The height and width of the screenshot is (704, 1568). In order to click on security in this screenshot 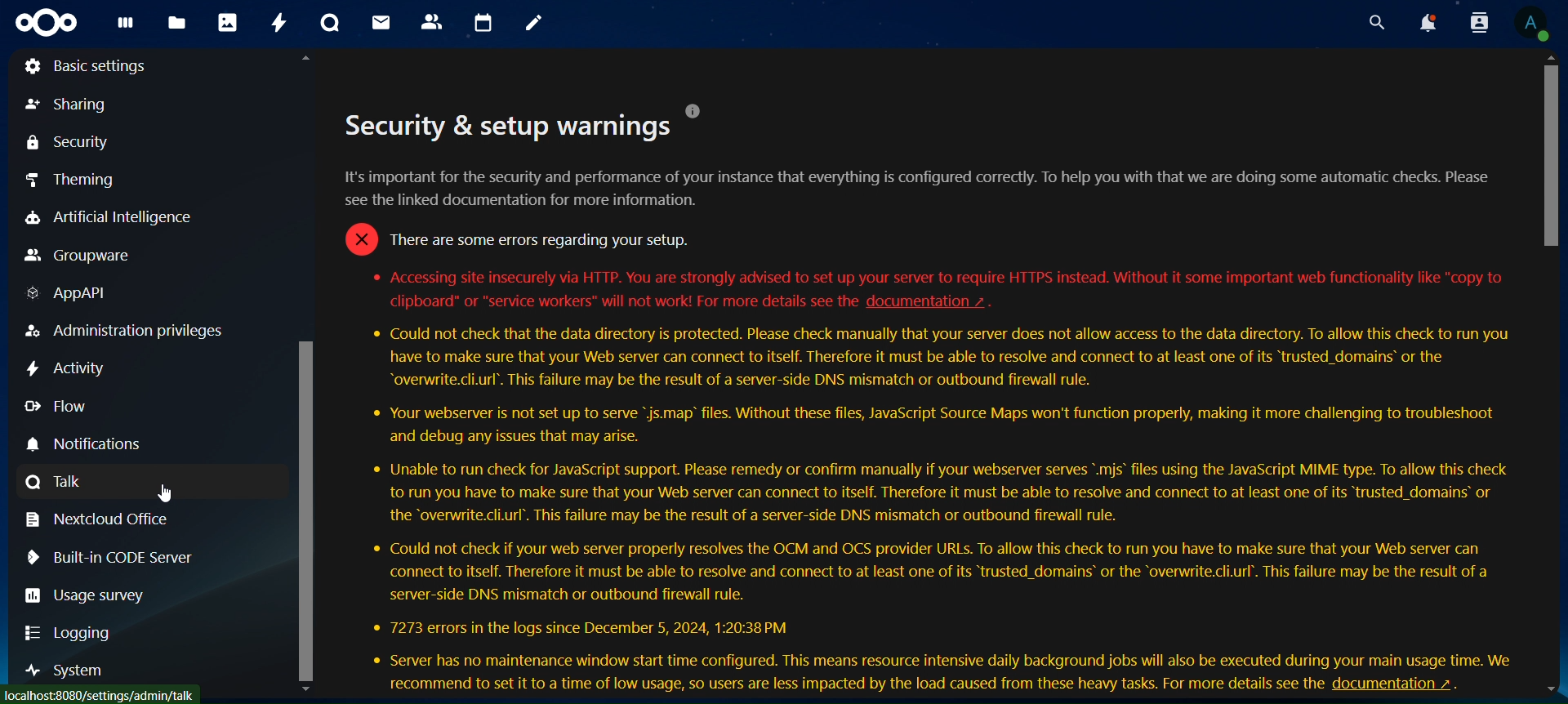, I will do `click(67, 145)`.